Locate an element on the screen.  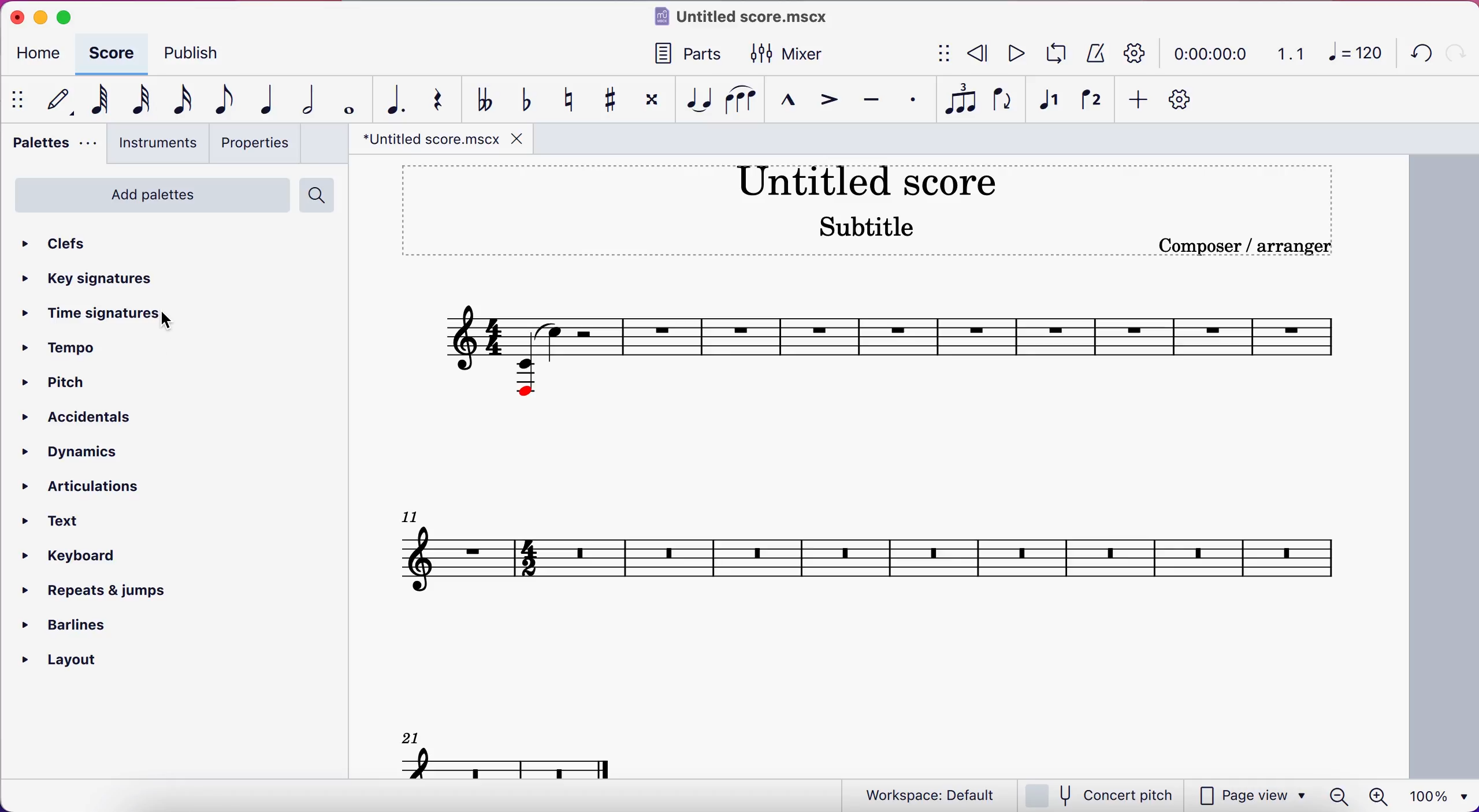
tempo is located at coordinates (64, 347).